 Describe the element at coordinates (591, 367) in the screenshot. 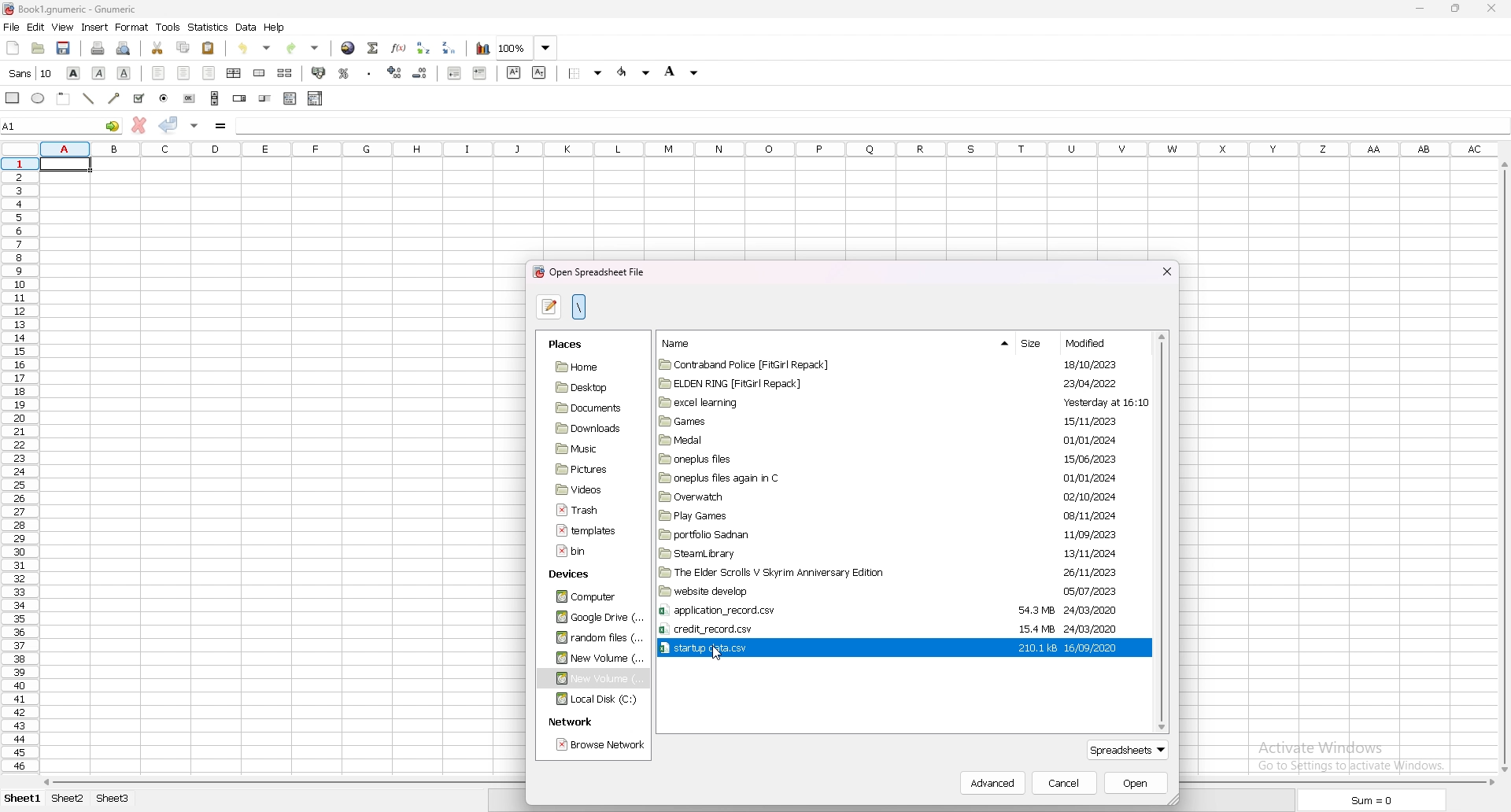

I see `folder` at that location.